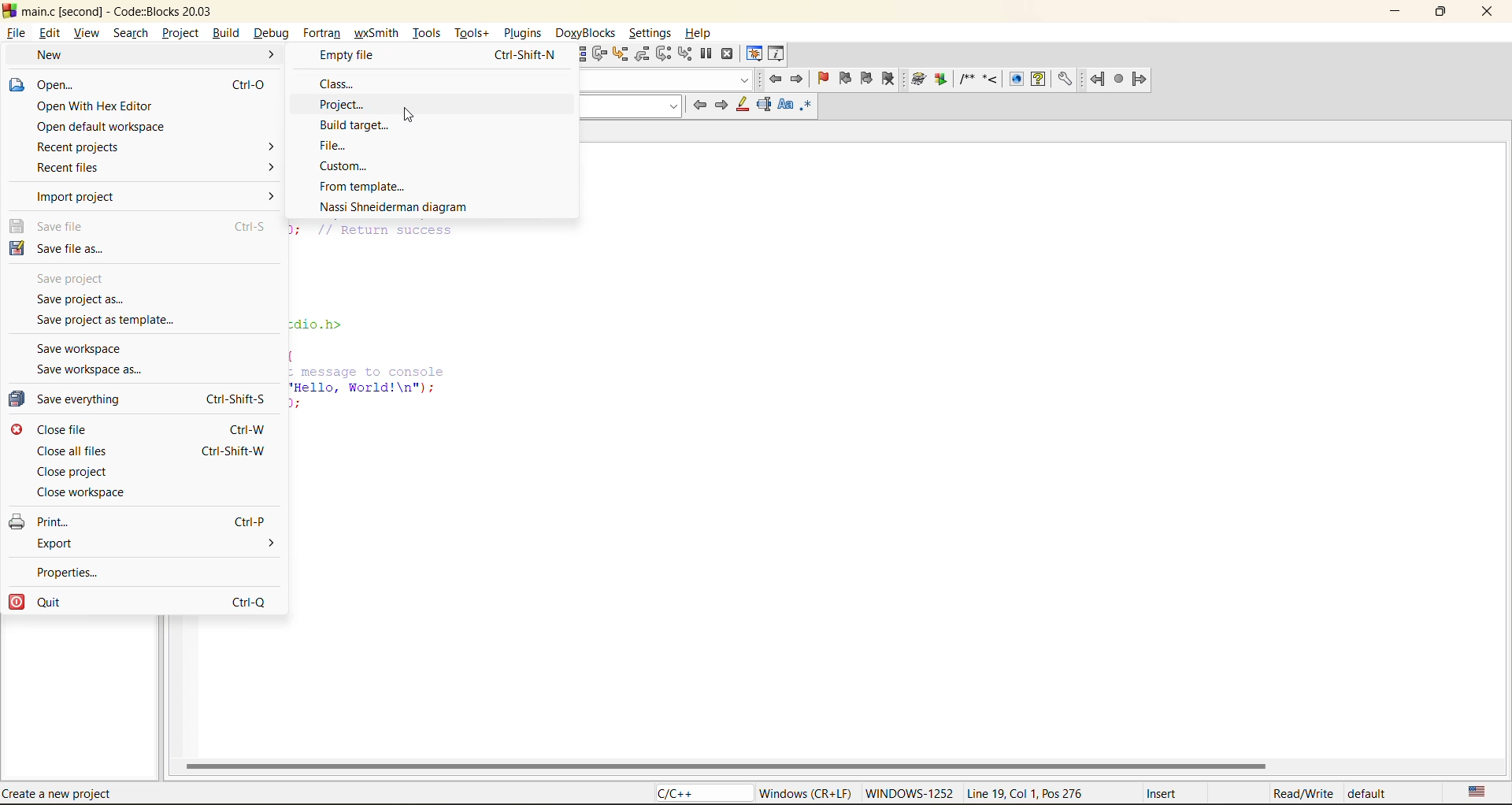  I want to click on next bookmark, so click(868, 78).